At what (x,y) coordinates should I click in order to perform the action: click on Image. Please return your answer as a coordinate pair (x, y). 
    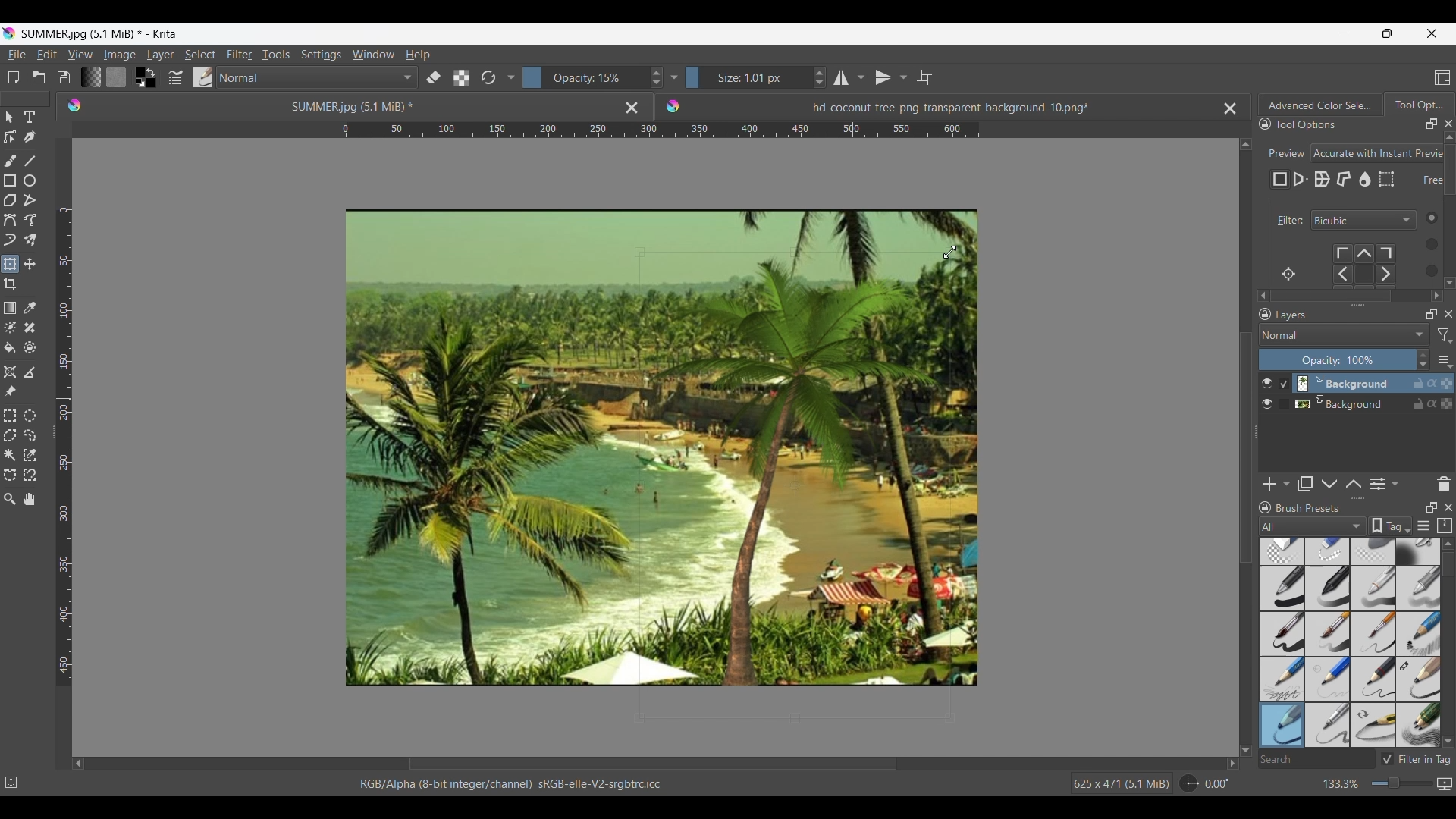
    Looking at the image, I should click on (119, 55).